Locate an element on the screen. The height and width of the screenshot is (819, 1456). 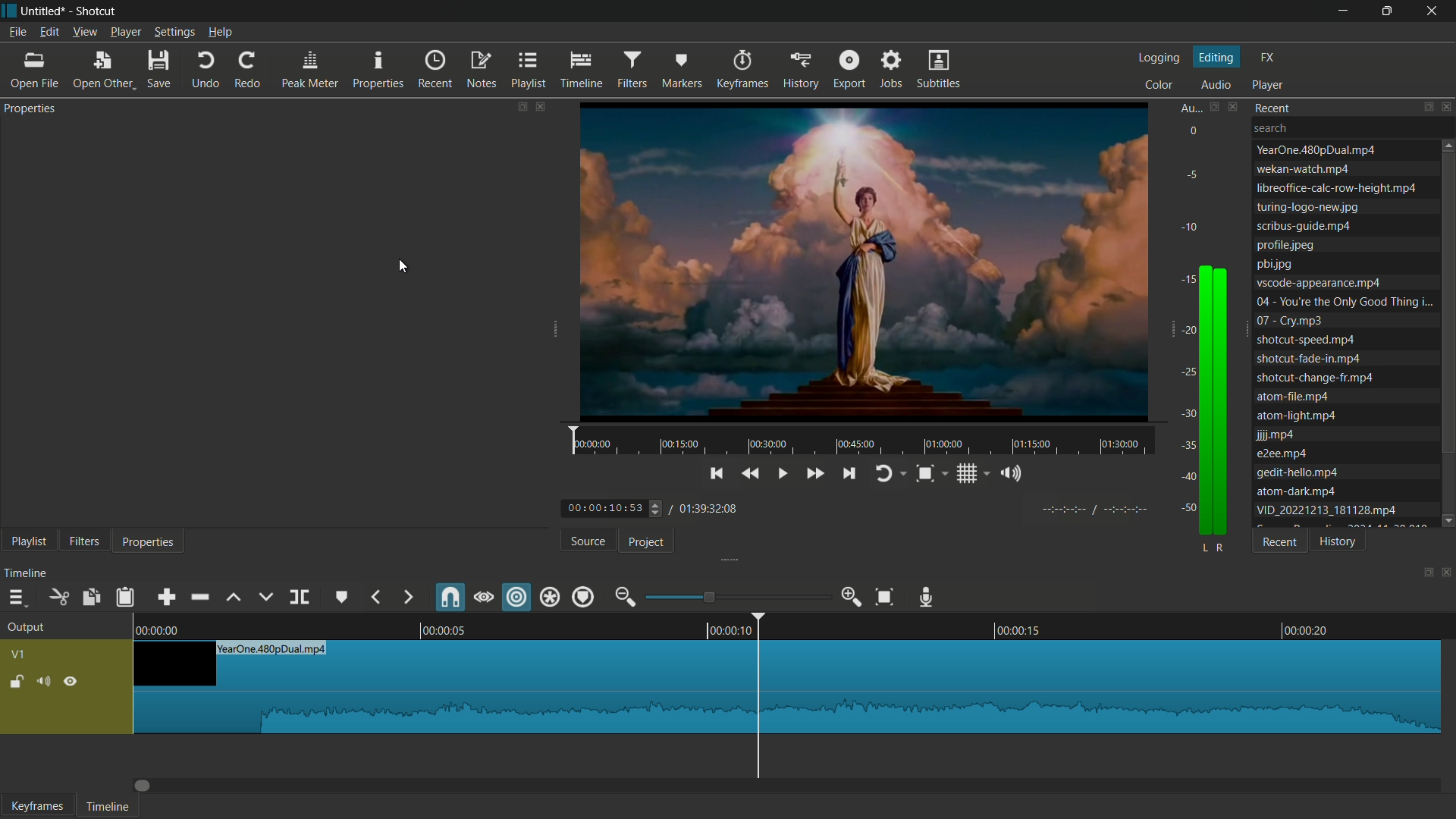
minimize is located at coordinates (1346, 11).